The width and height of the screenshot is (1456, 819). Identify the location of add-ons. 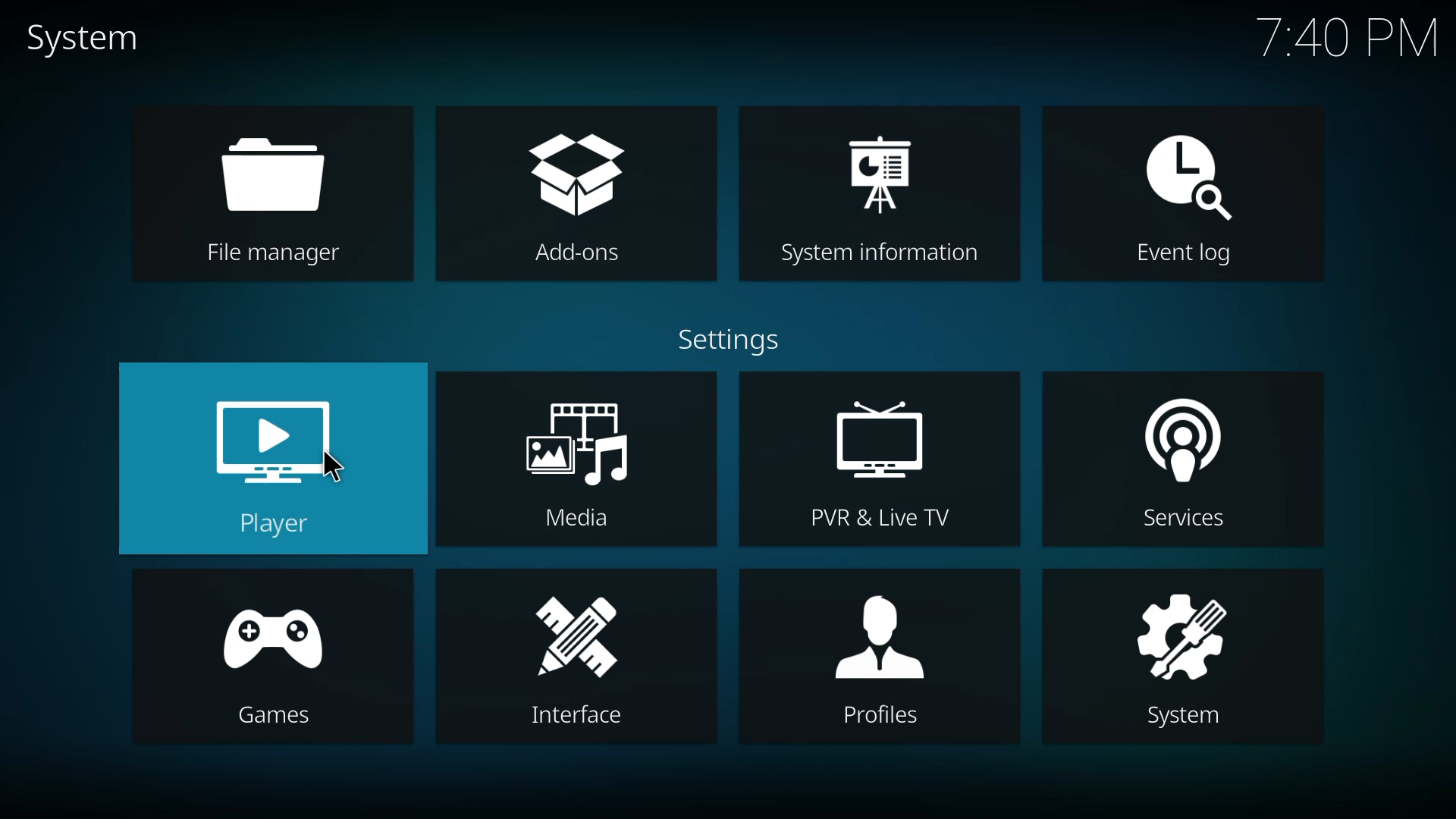
(576, 188).